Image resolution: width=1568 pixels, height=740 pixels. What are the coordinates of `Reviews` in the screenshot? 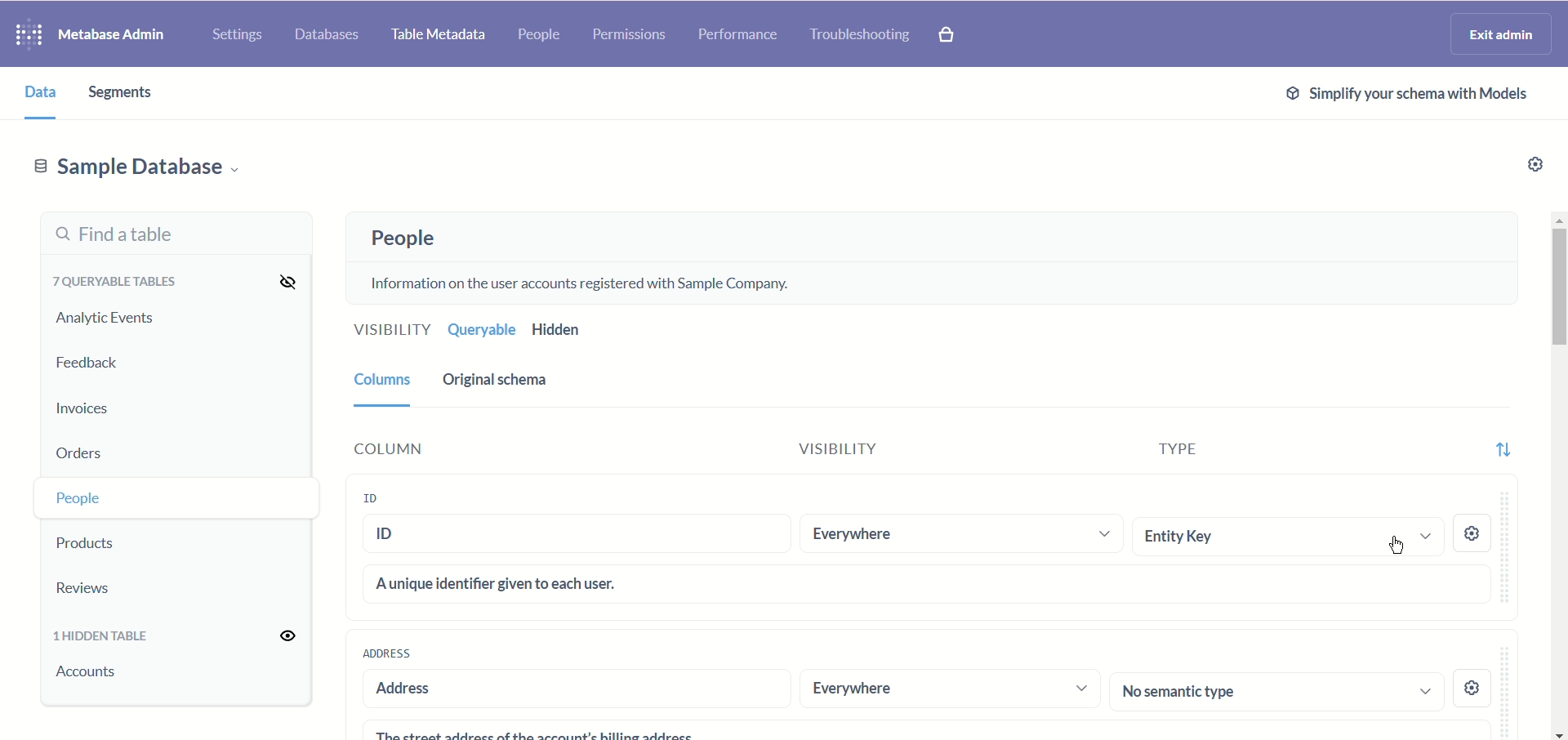 It's located at (110, 587).